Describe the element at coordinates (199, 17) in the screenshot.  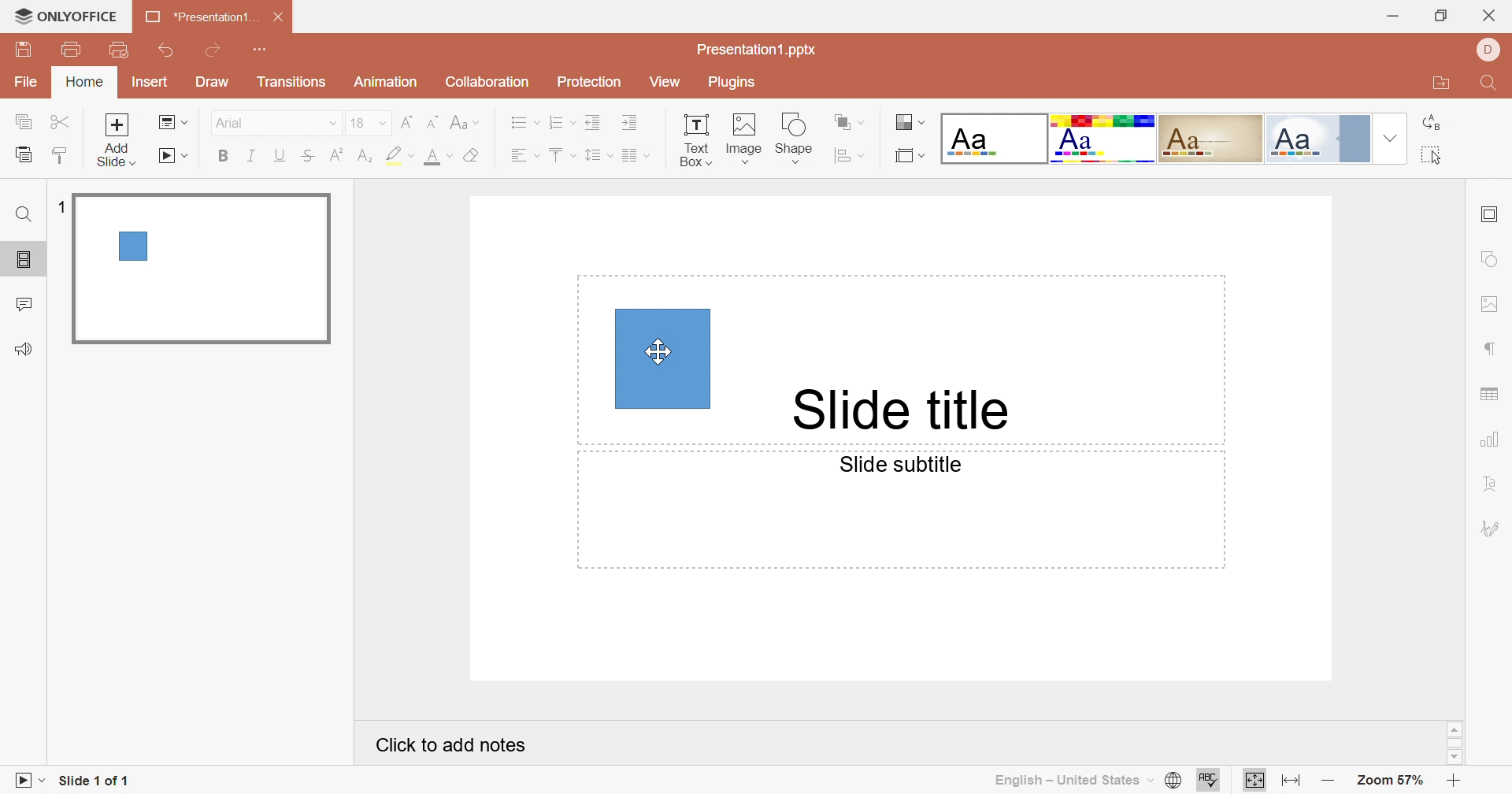
I see `*Presentation1....xlsx` at that location.